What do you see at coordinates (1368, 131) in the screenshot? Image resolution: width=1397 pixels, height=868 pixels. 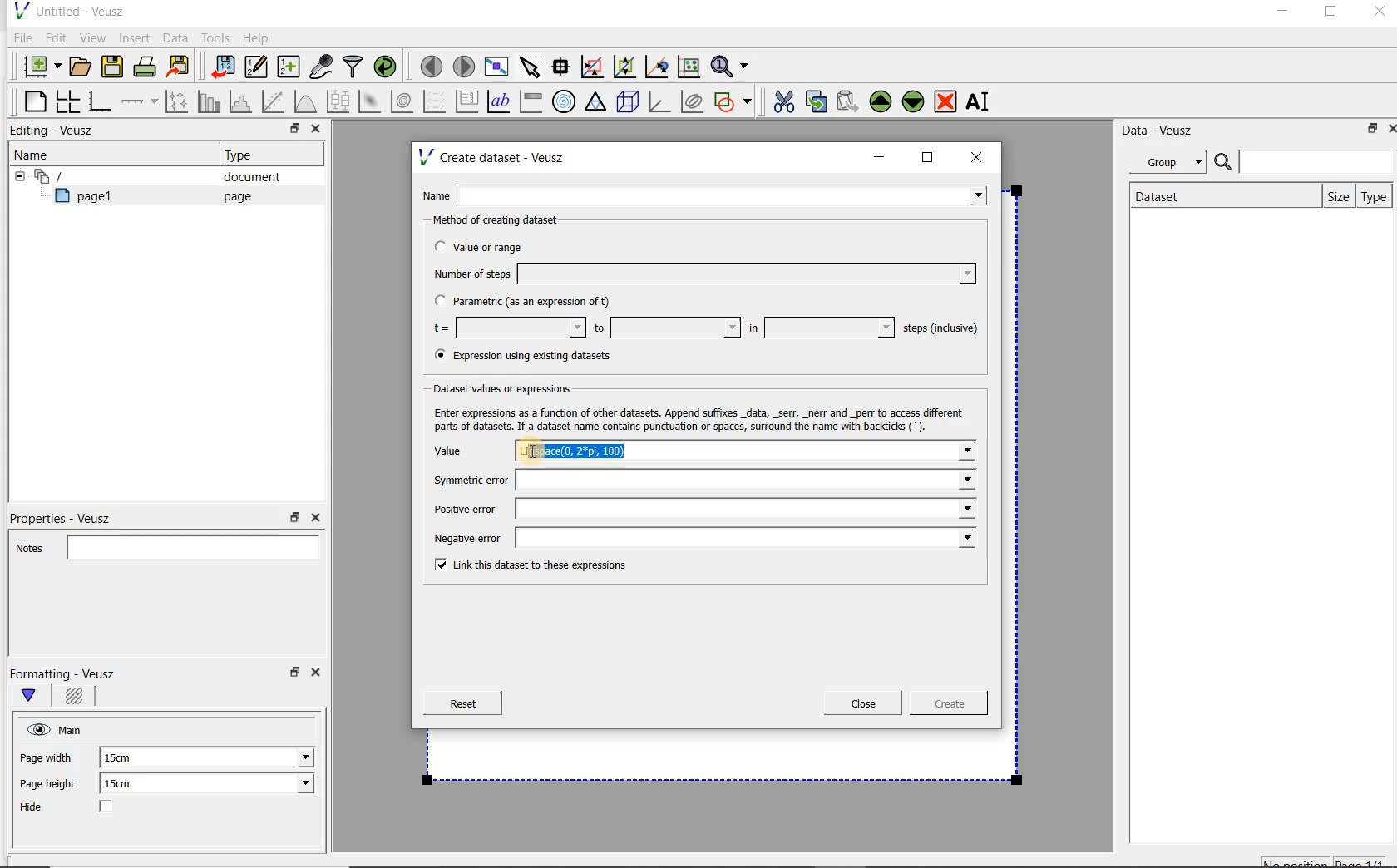 I see `restore down` at bounding box center [1368, 131].